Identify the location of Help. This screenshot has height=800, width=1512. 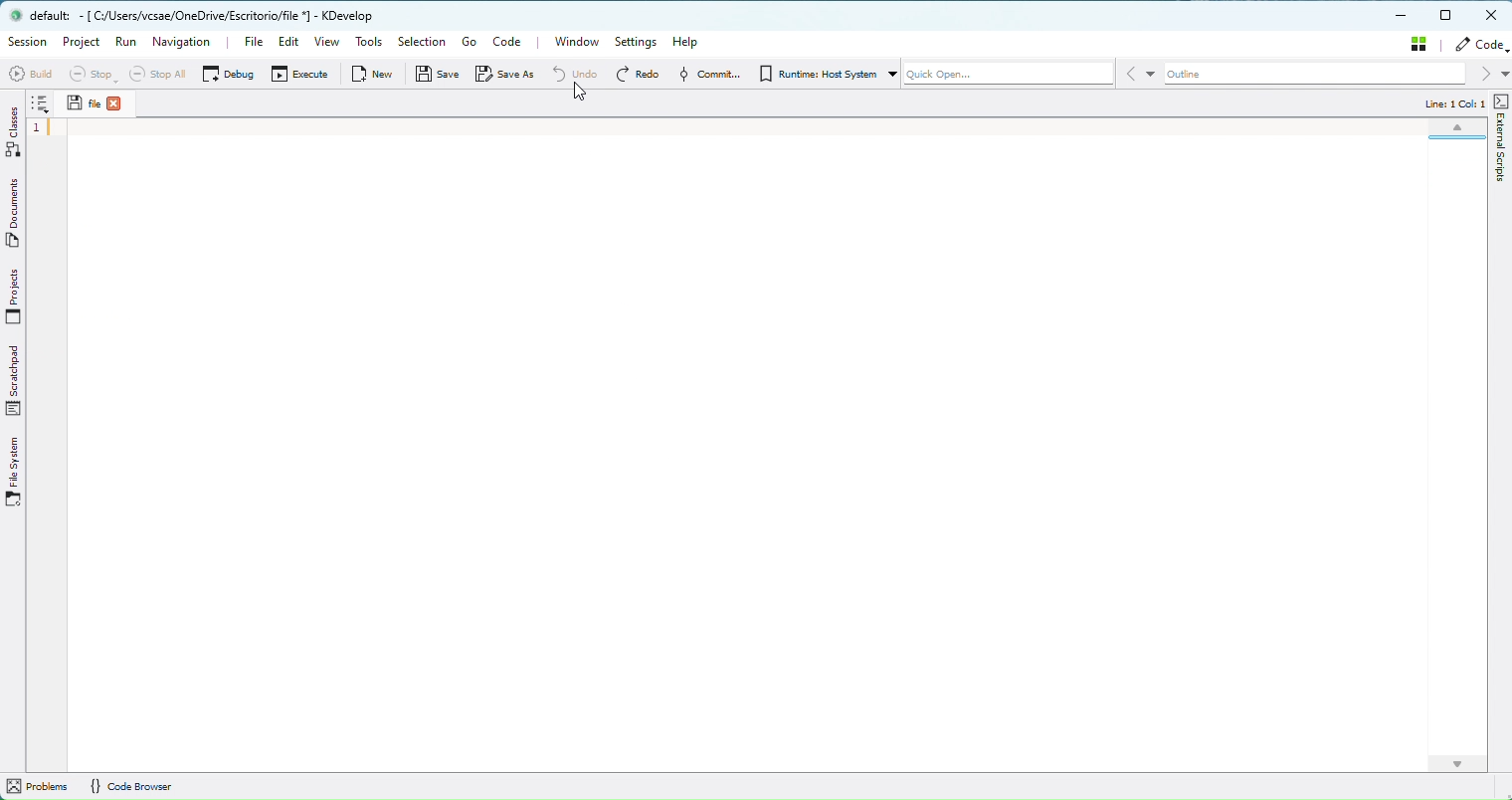
(696, 42).